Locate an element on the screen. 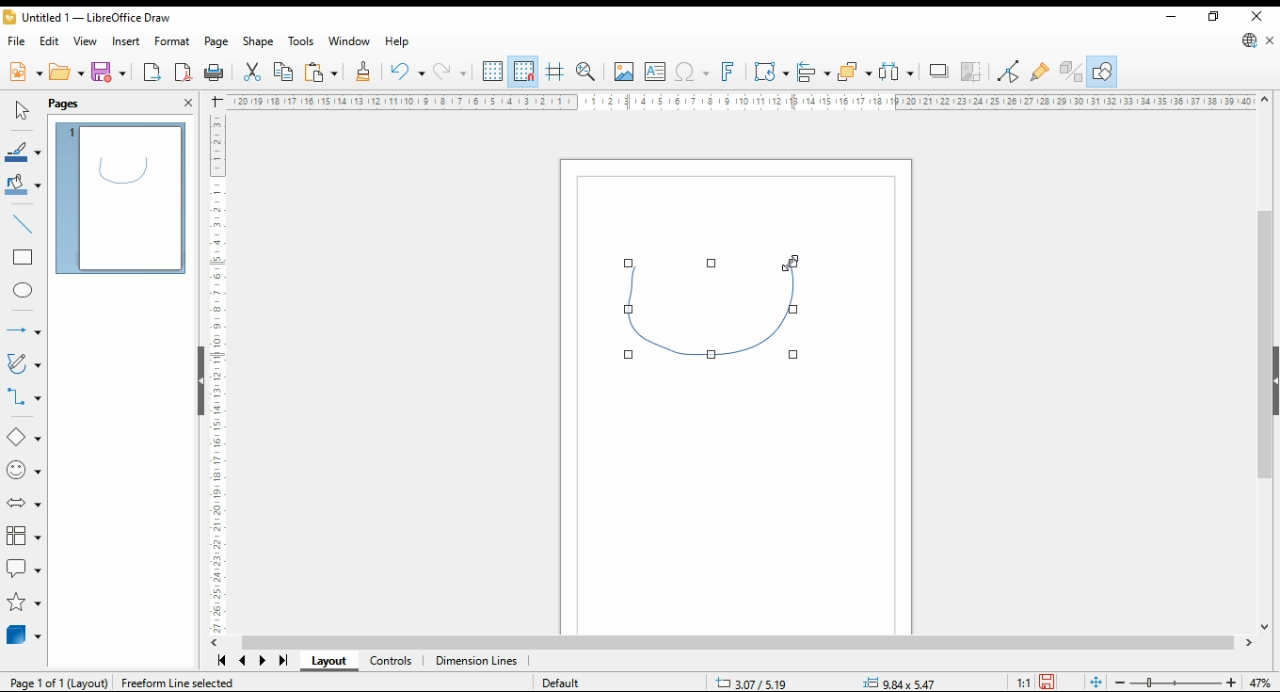 The height and width of the screenshot is (692, 1280). controls is located at coordinates (394, 661).